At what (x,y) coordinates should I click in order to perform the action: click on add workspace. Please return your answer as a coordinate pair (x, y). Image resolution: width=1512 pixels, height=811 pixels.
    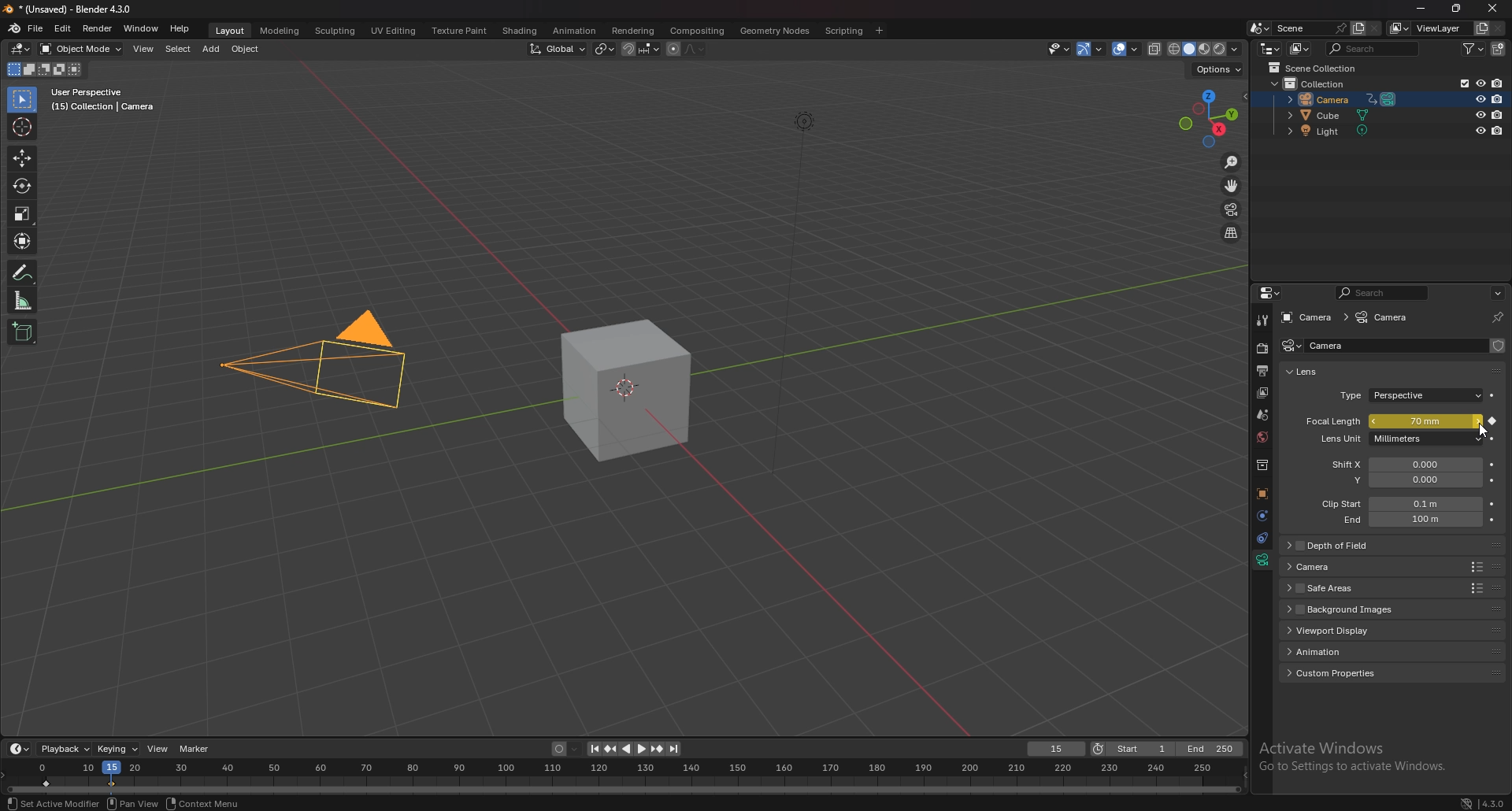
    Looking at the image, I should click on (880, 29).